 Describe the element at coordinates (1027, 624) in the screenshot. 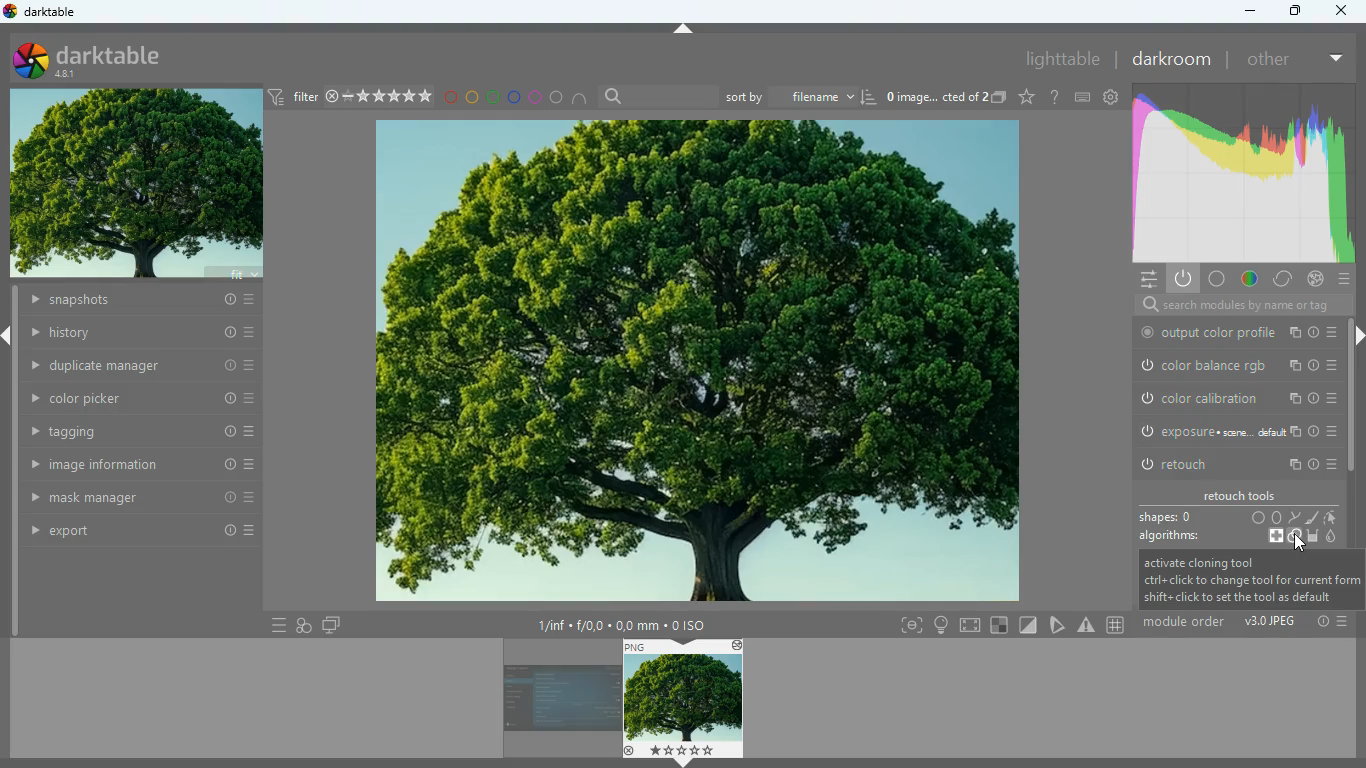

I see `diagonal` at that location.